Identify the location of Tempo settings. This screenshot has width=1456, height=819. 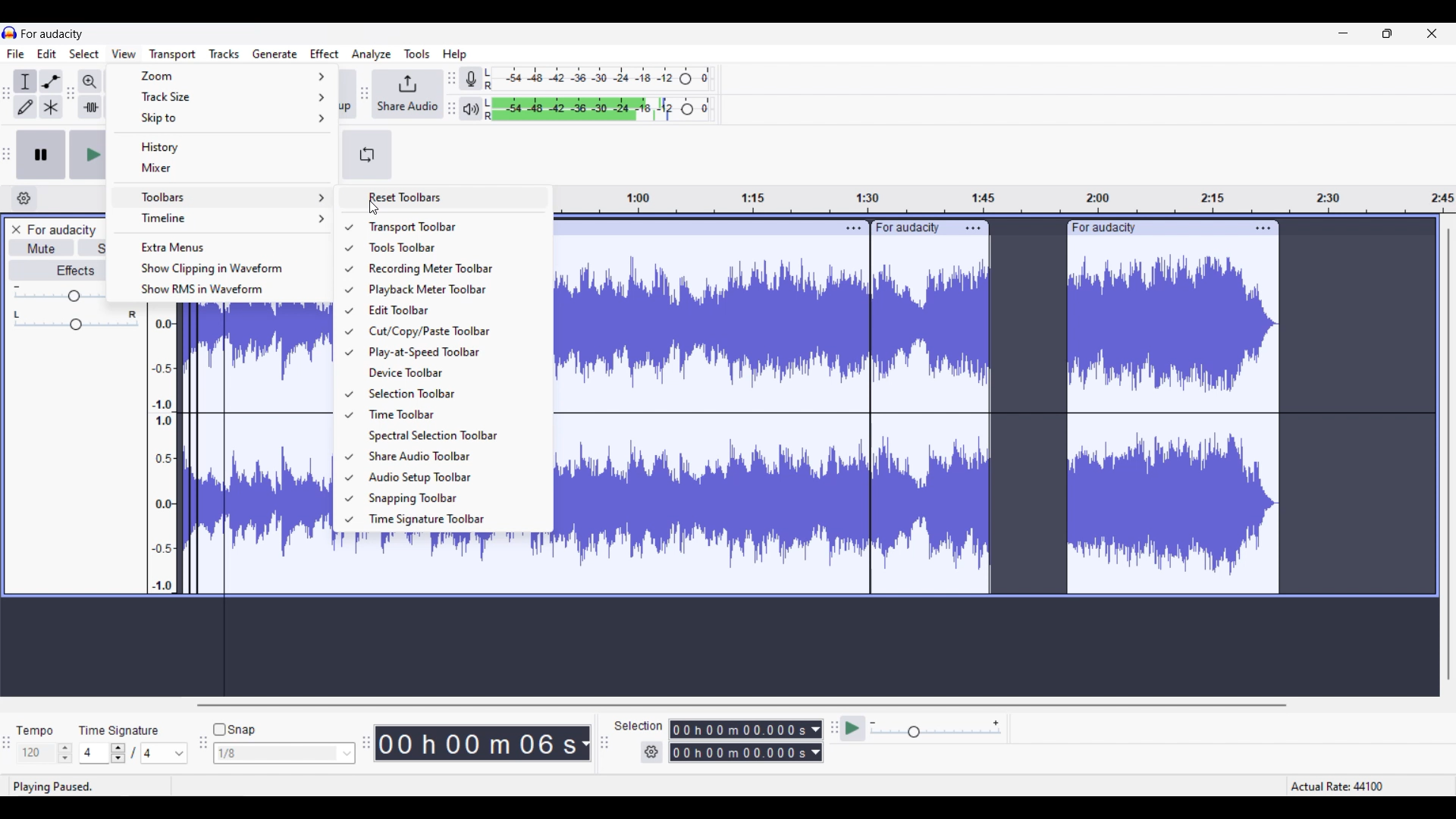
(45, 753).